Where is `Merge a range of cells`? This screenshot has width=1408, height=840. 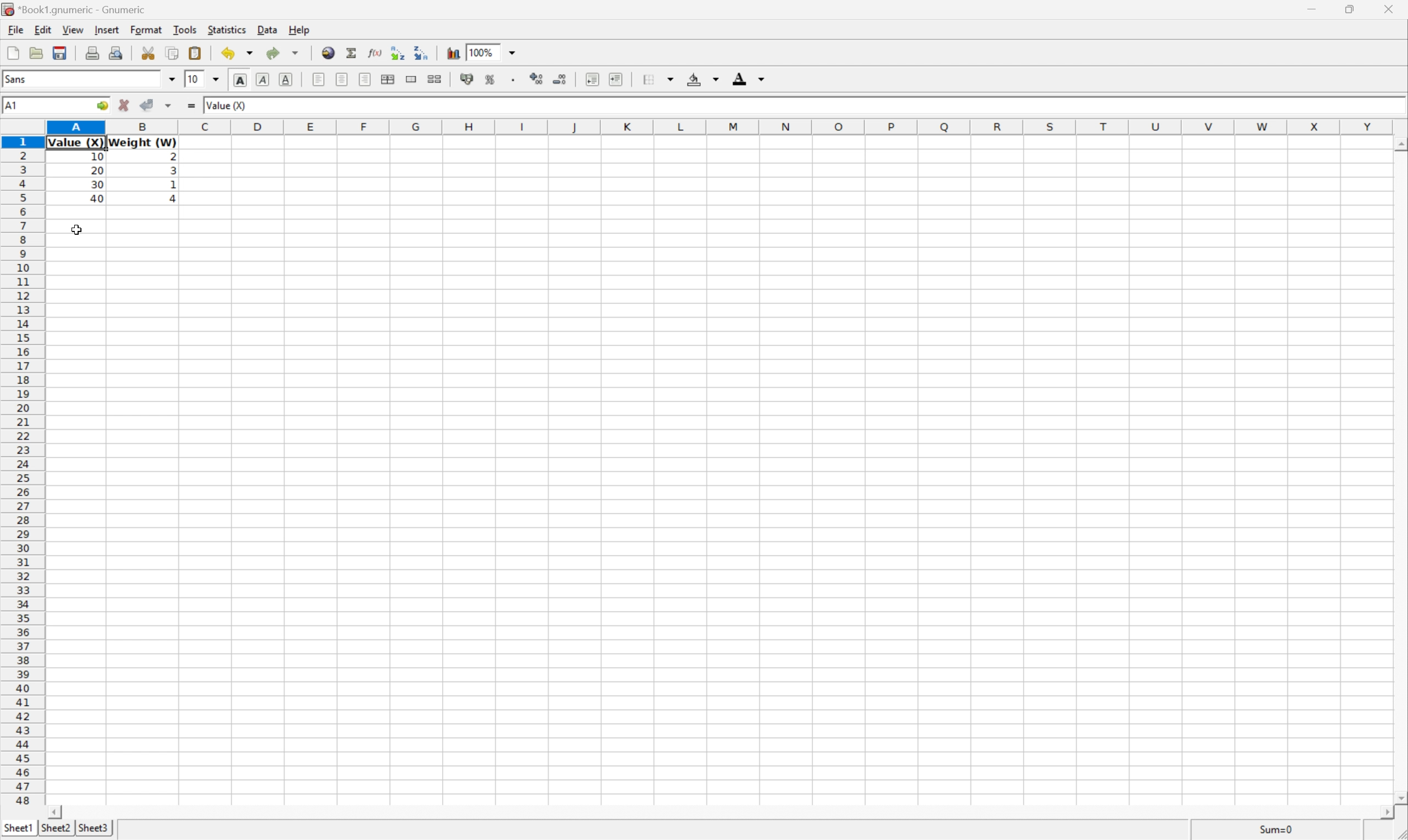 Merge a range of cells is located at coordinates (412, 80).